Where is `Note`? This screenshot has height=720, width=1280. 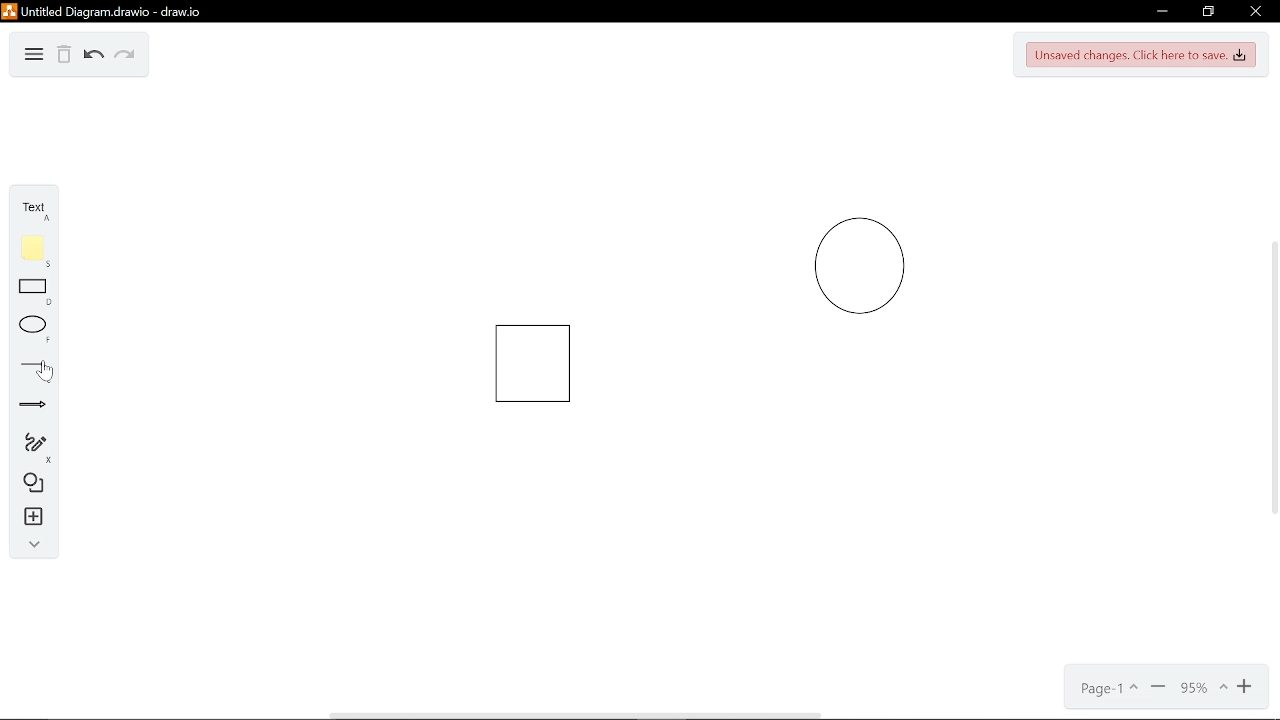
Note is located at coordinates (27, 249).